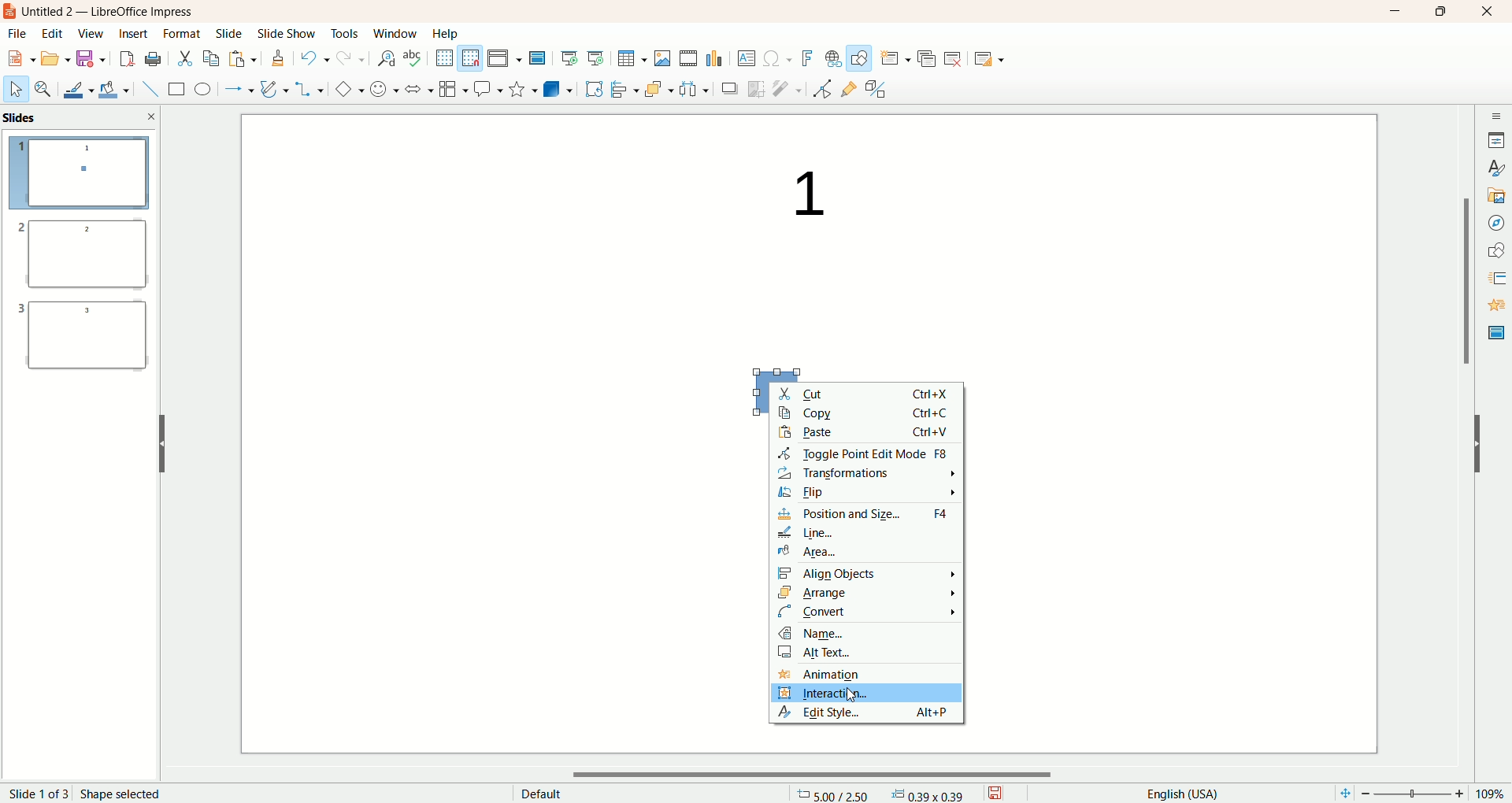 Image resolution: width=1512 pixels, height=803 pixels. I want to click on flip, so click(868, 493).